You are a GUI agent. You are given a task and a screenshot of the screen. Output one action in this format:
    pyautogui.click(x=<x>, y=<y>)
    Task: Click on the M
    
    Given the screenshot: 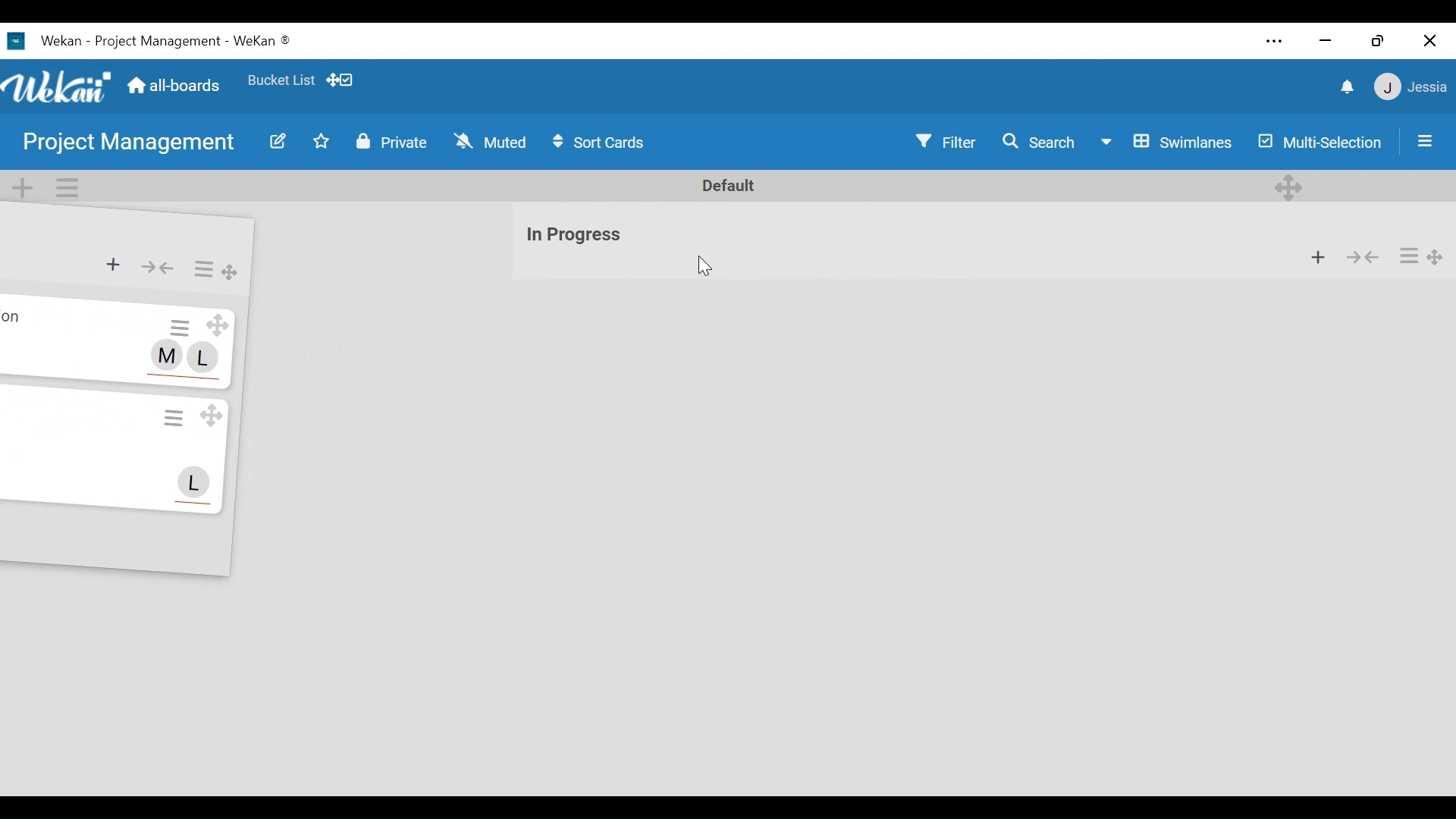 What is the action you would take?
    pyautogui.click(x=166, y=355)
    